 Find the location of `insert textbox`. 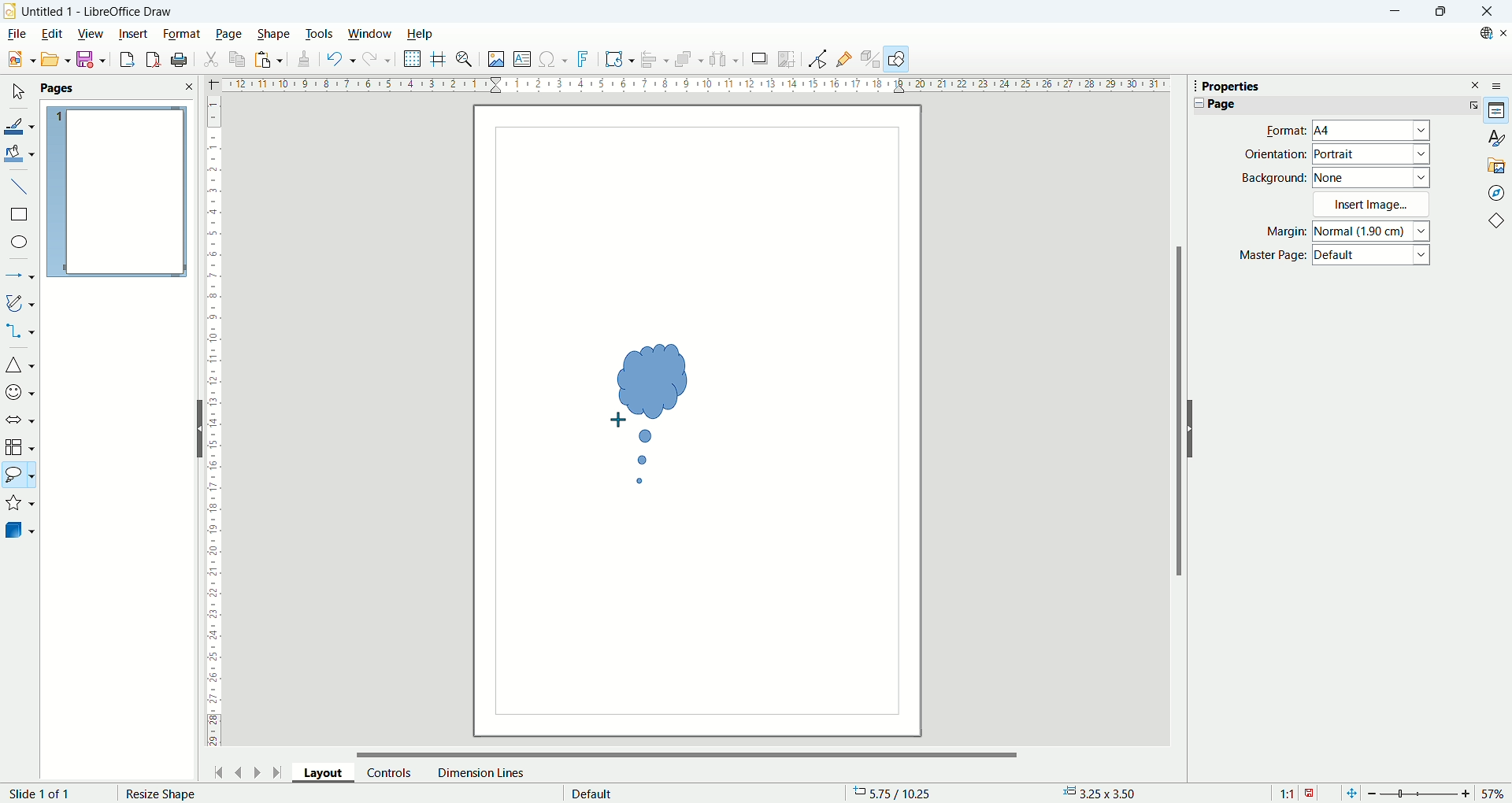

insert textbox is located at coordinates (524, 60).